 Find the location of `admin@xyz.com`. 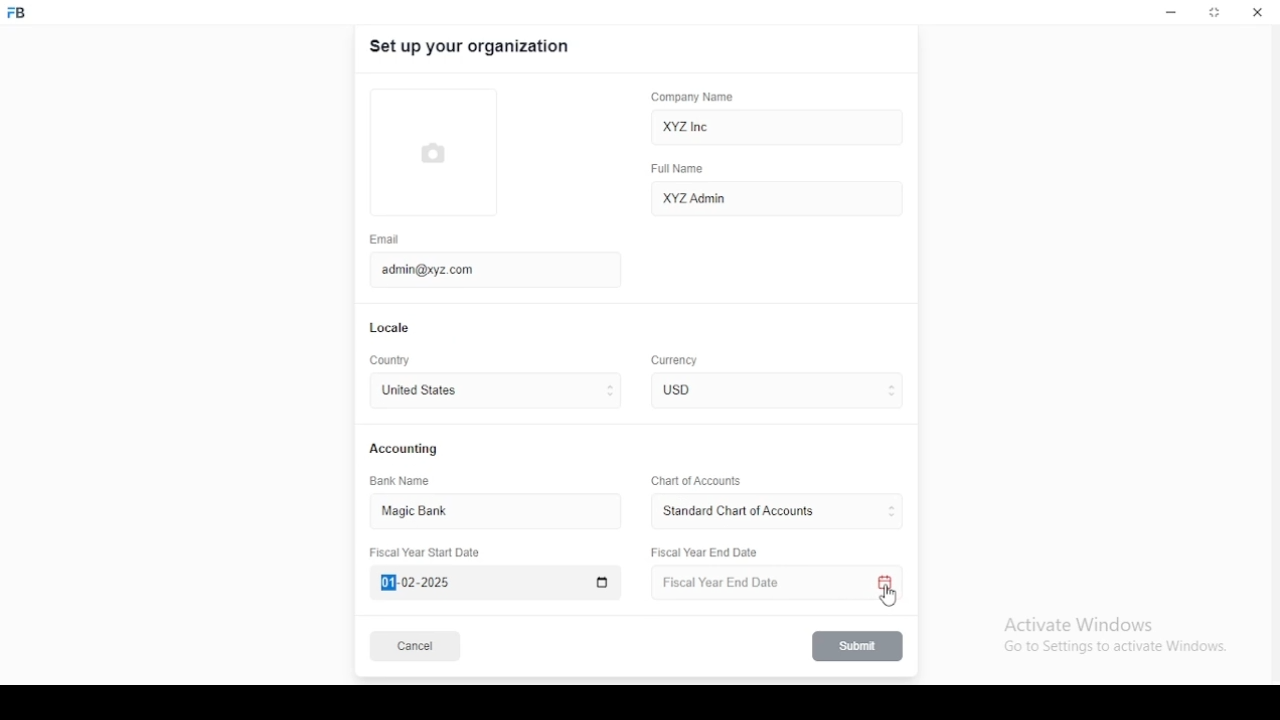

admin@xyz.com is located at coordinates (485, 268).